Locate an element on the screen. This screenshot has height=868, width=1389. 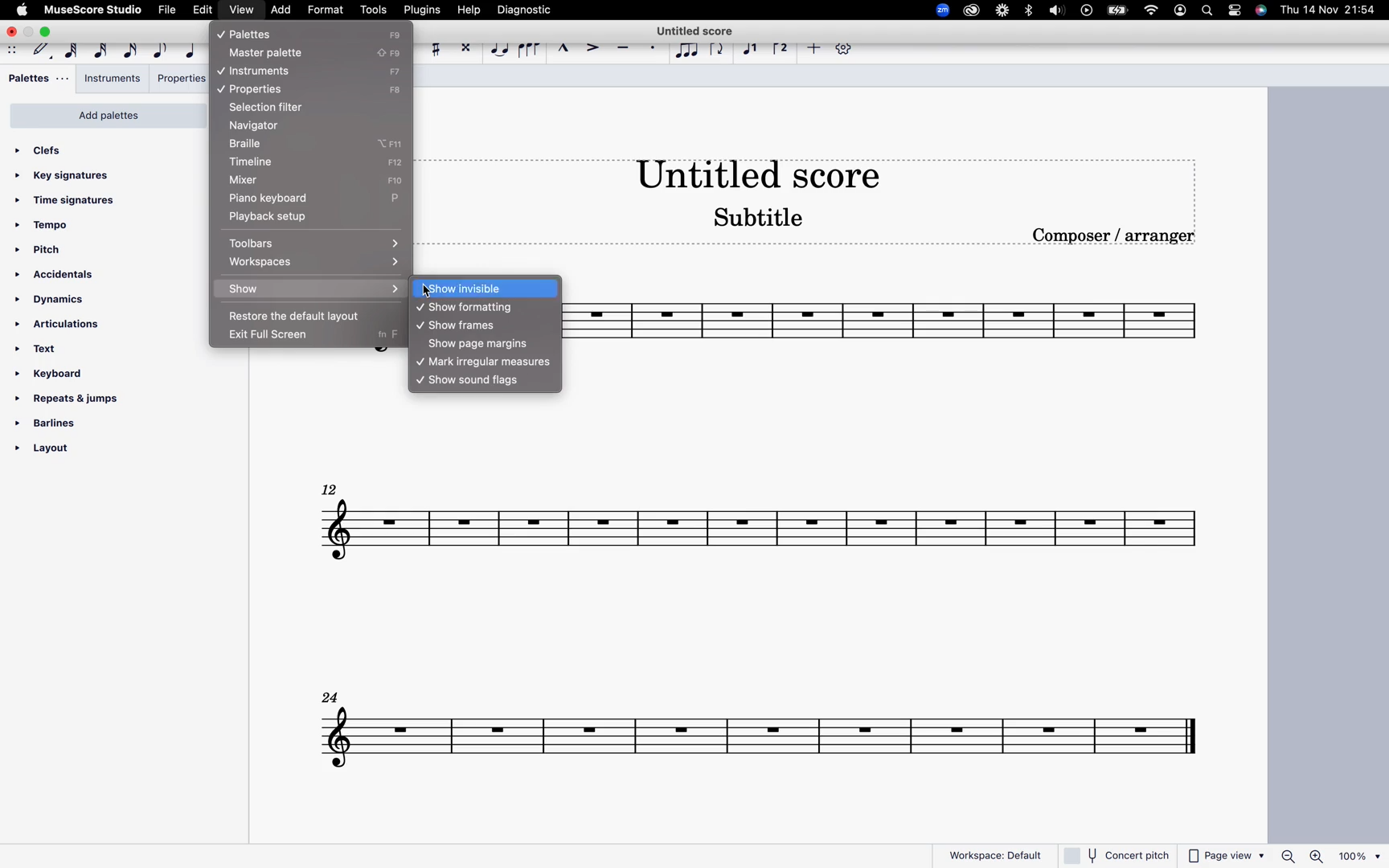
articulations is located at coordinates (64, 323).